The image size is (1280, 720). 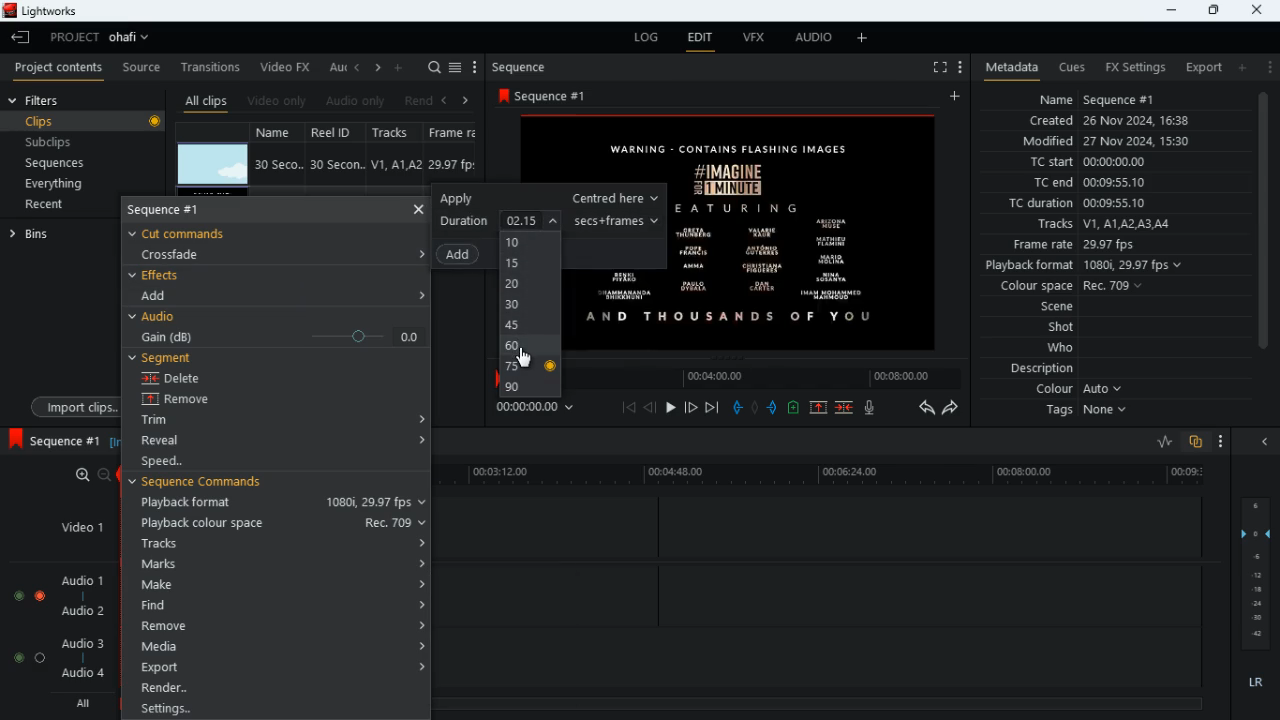 I want to click on front, so click(x=692, y=407).